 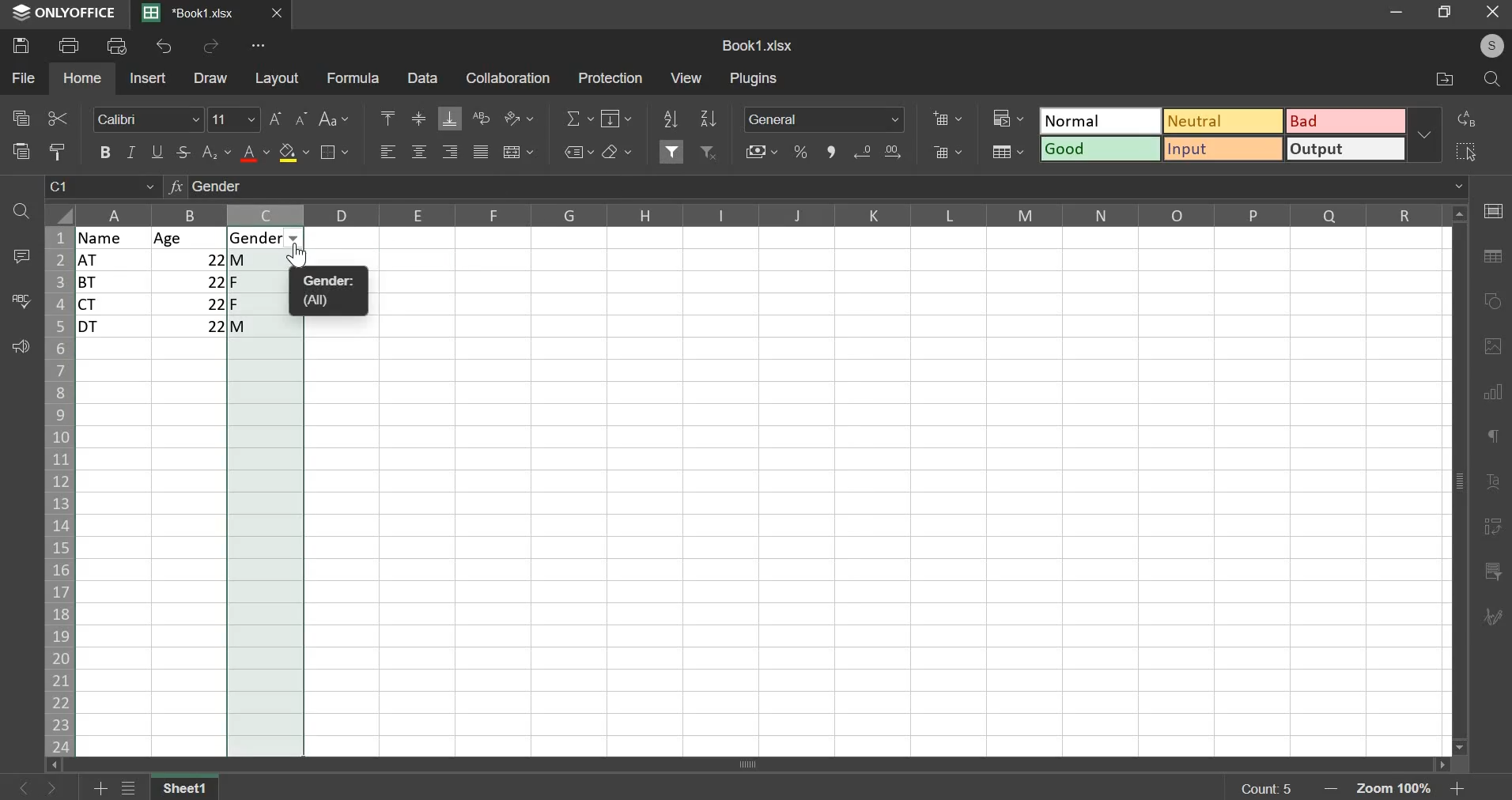 I want to click on sort, so click(x=709, y=118).